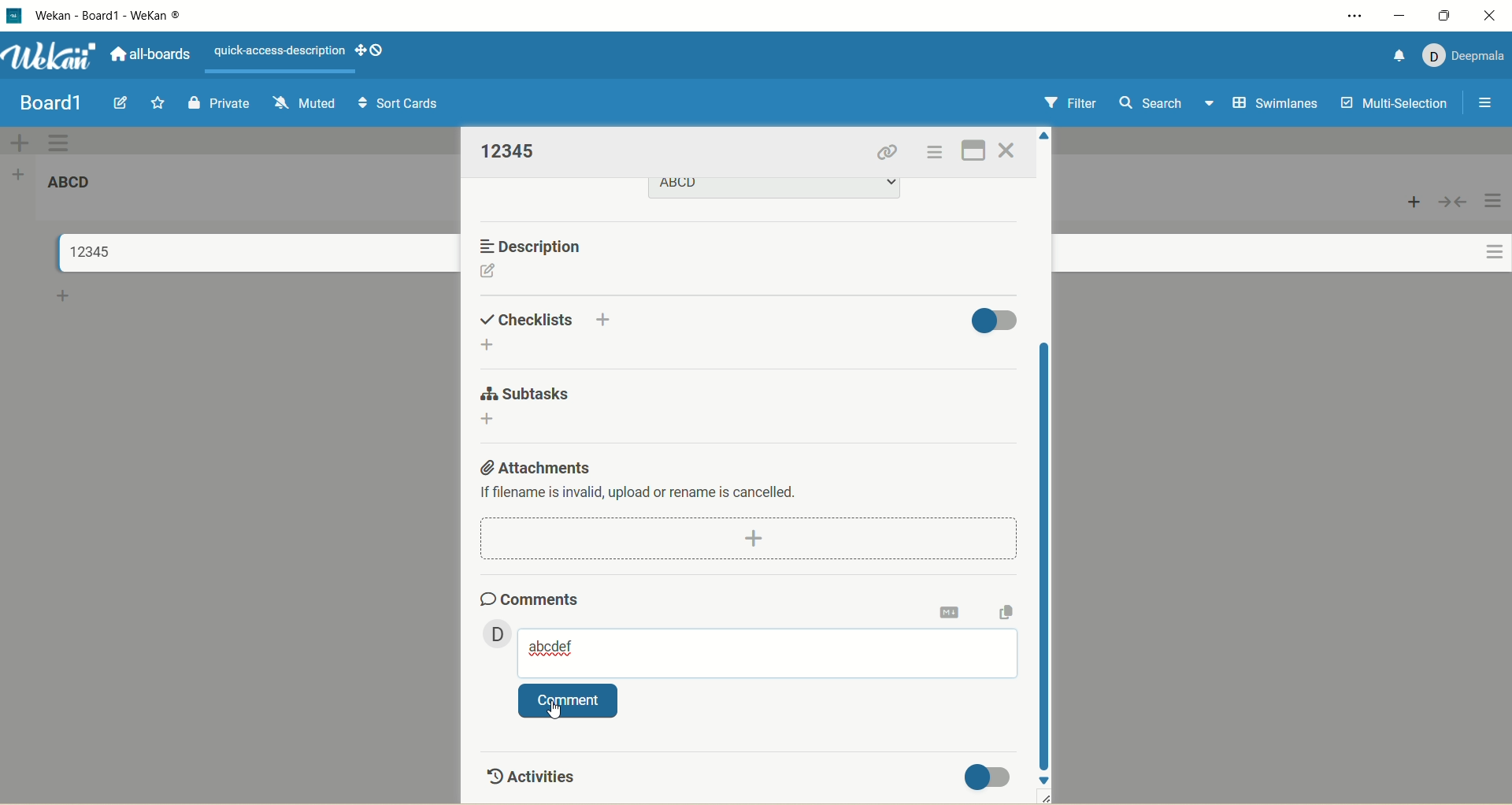 The image size is (1512, 805). Describe the element at coordinates (120, 103) in the screenshot. I see `edit` at that location.